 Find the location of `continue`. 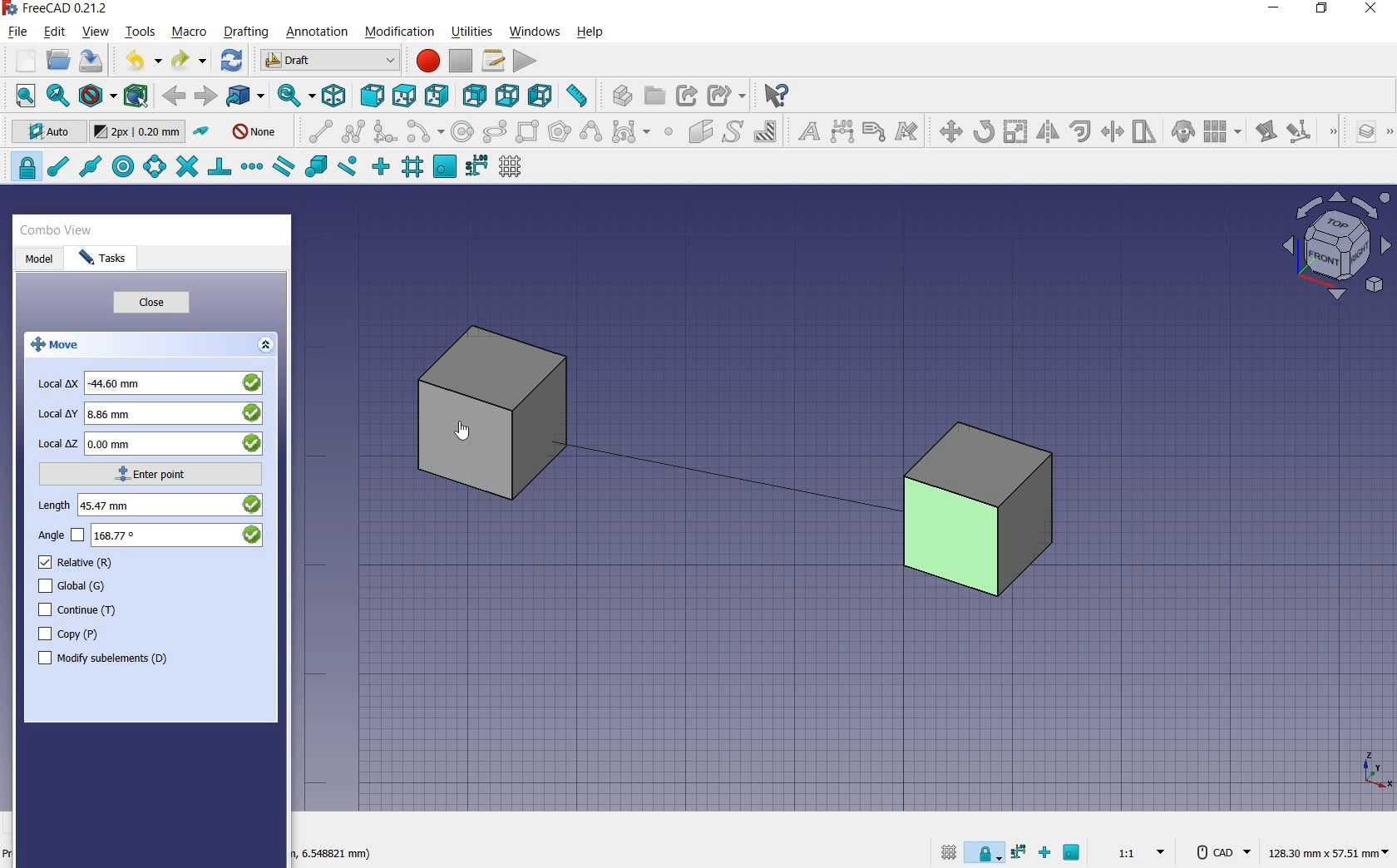

continue is located at coordinates (78, 609).